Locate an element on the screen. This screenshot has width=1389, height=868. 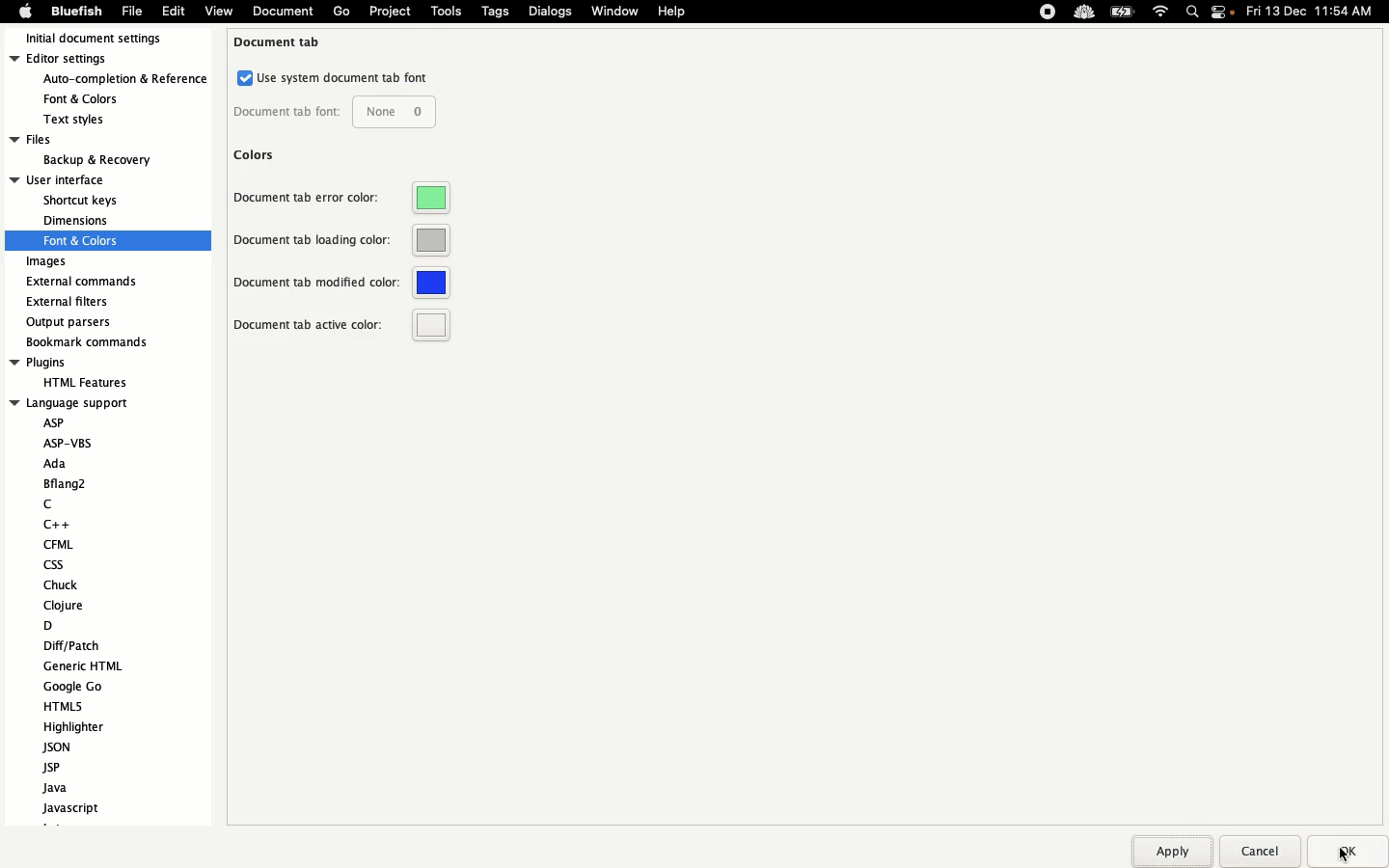
Editor settings is located at coordinates (104, 60).